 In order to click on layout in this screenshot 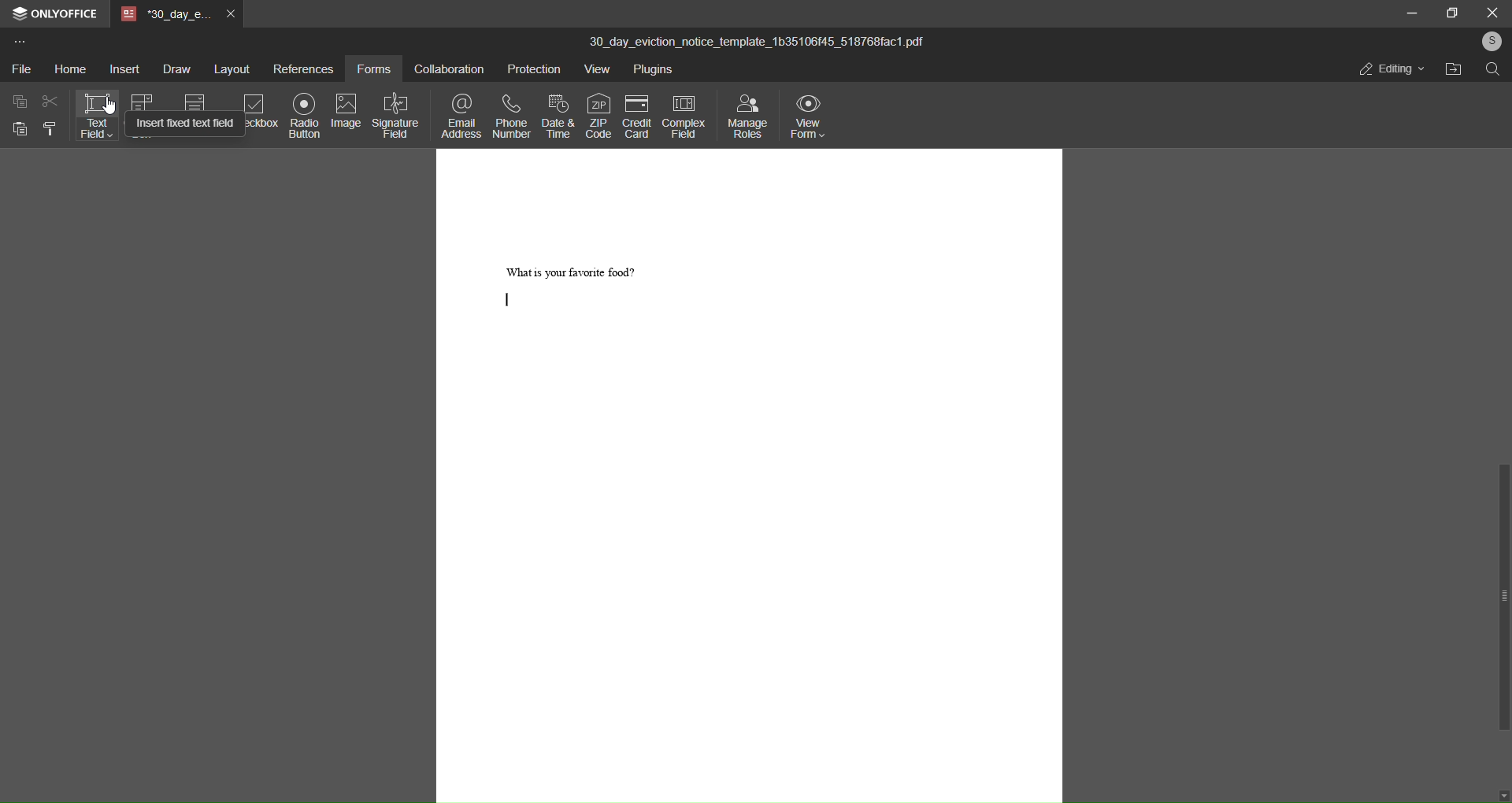, I will do `click(229, 68)`.